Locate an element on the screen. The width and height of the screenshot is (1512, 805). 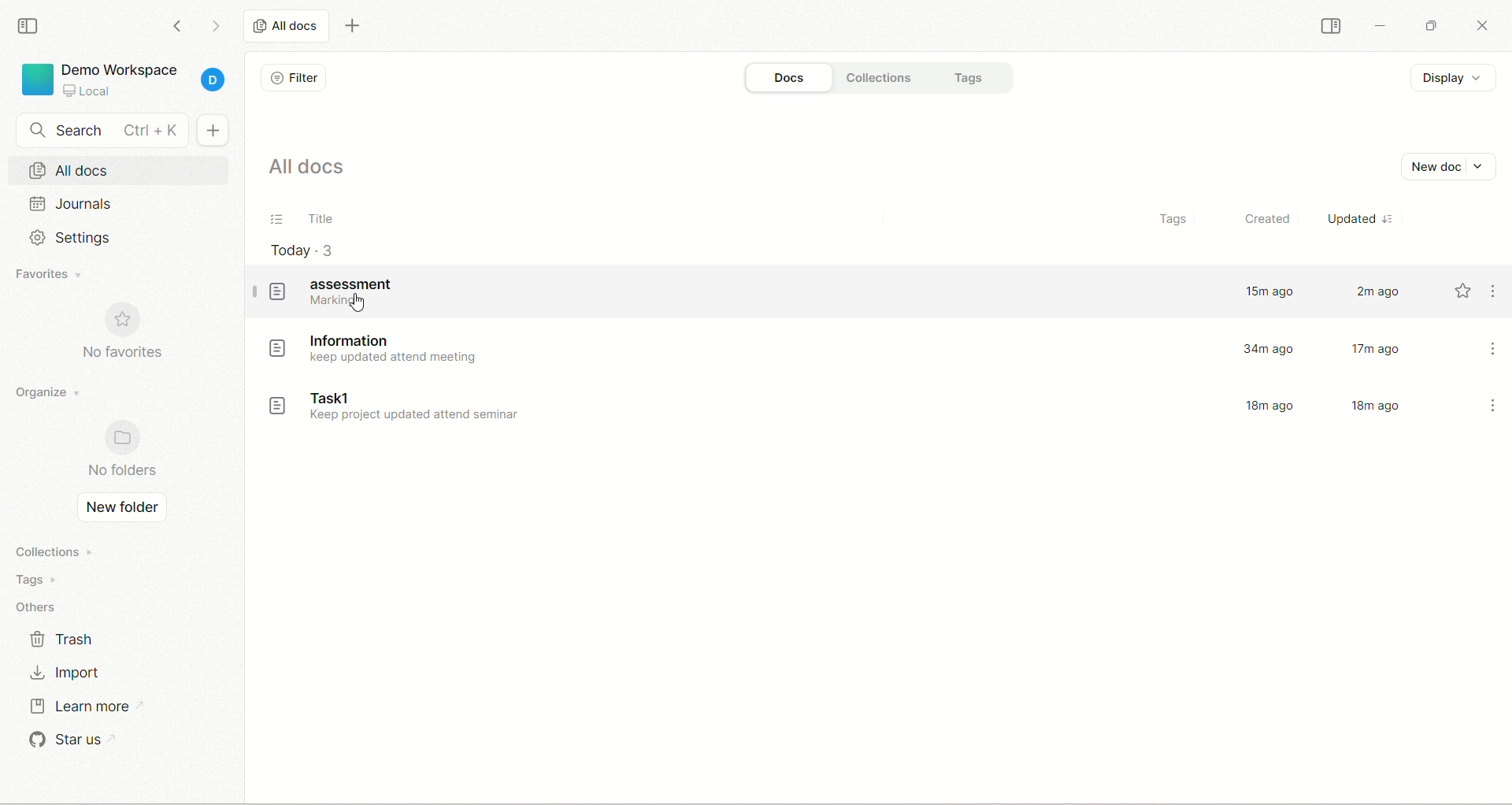
collections is located at coordinates (886, 78).